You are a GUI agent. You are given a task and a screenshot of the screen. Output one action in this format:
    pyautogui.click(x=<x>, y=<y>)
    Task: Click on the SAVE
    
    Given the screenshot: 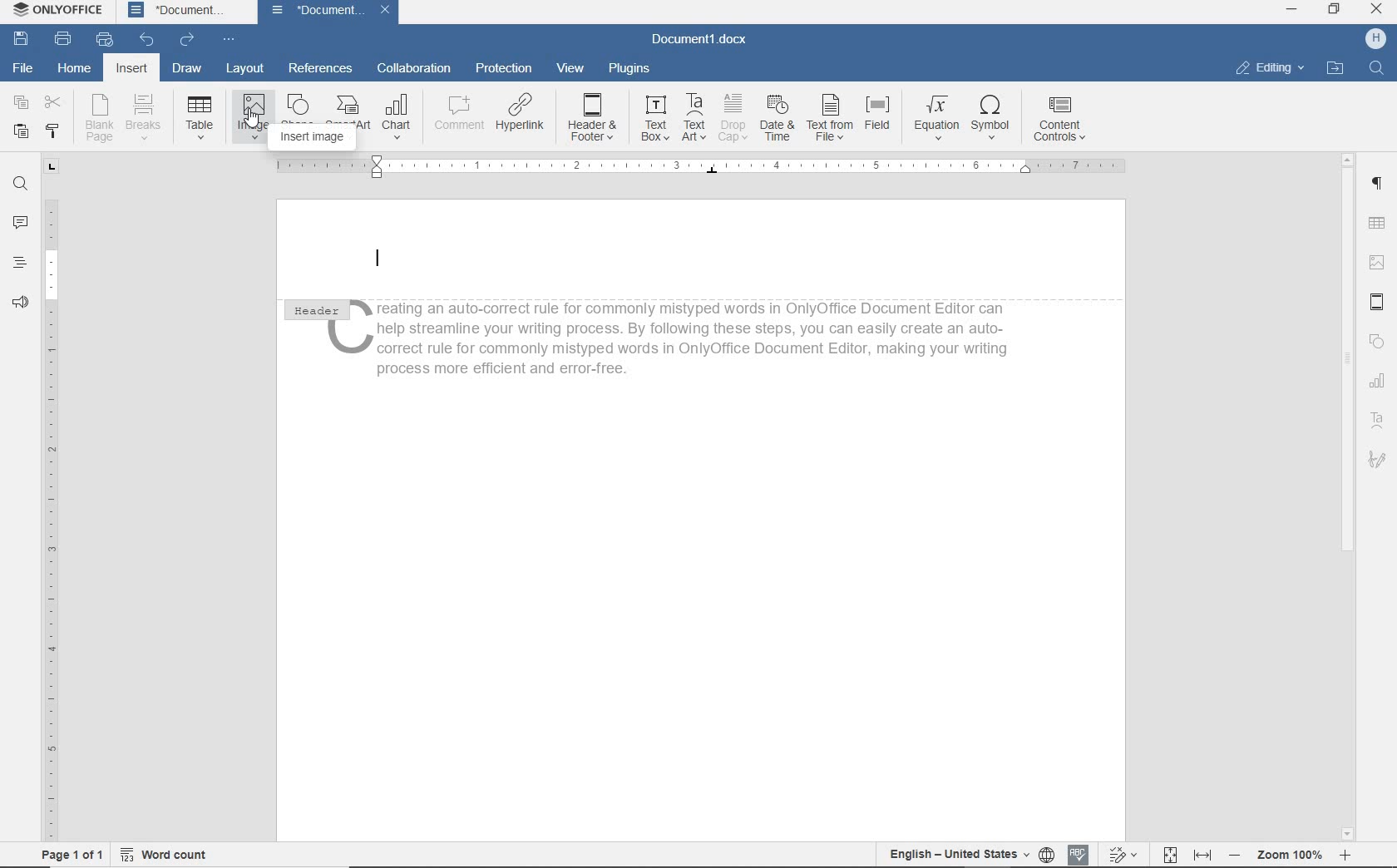 What is the action you would take?
    pyautogui.click(x=23, y=38)
    